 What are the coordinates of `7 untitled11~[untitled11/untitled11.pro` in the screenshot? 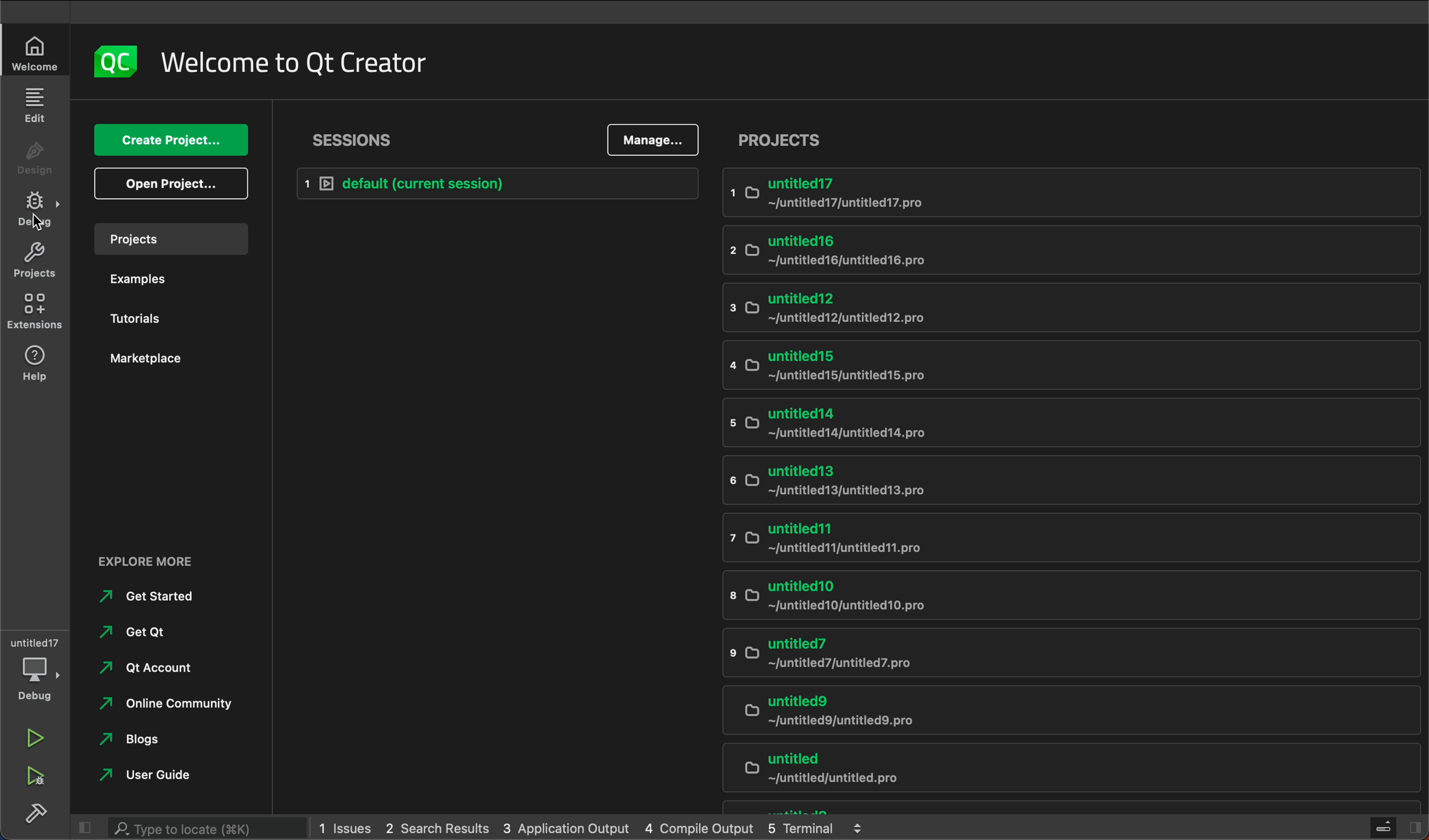 It's located at (1067, 540).